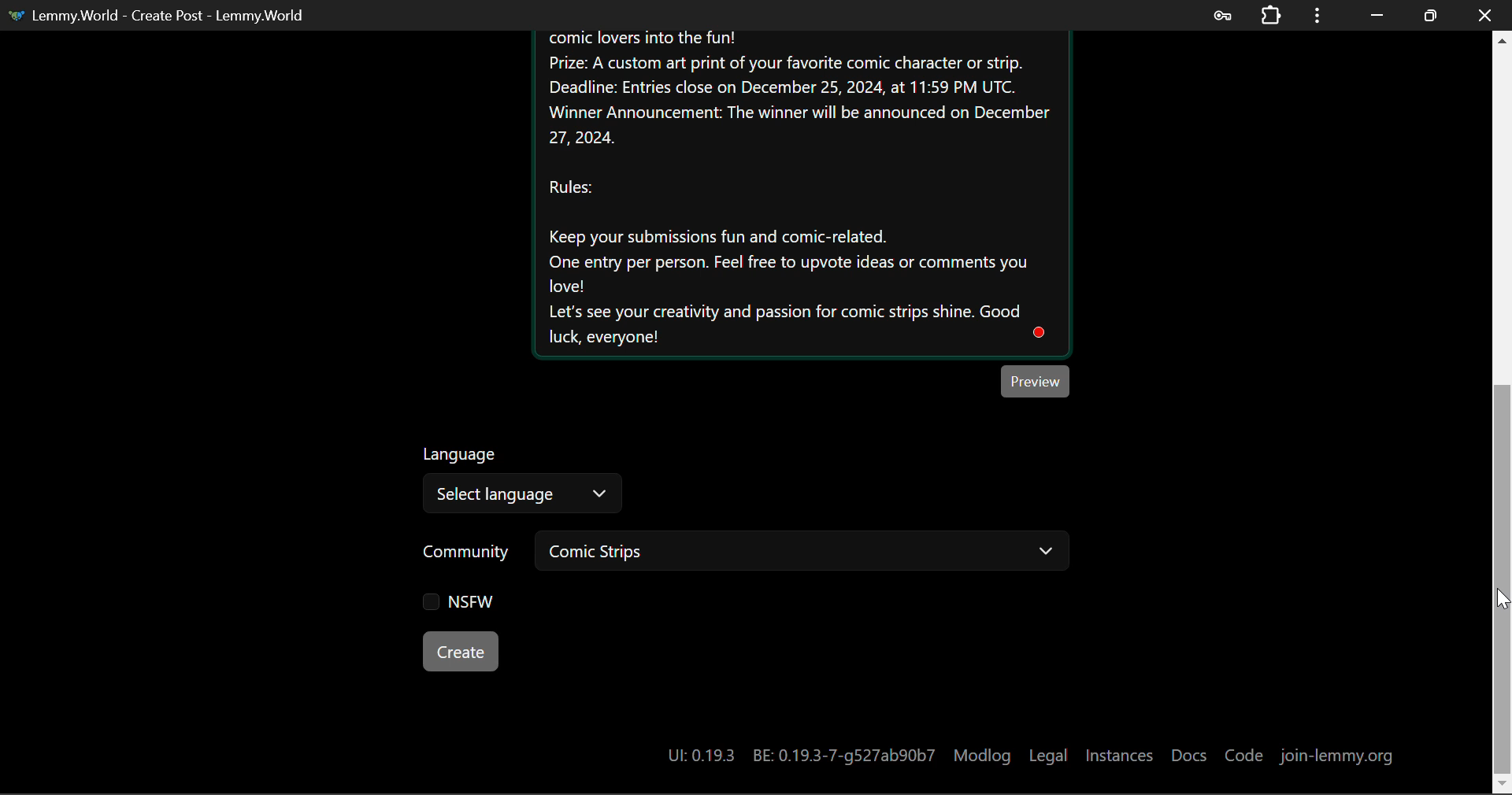 The width and height of the screenshot is (1512, 795). What do you see at coordinates (1191, 755) in the screenshot?
I see `Docs` at bounding box center [1191, 755].